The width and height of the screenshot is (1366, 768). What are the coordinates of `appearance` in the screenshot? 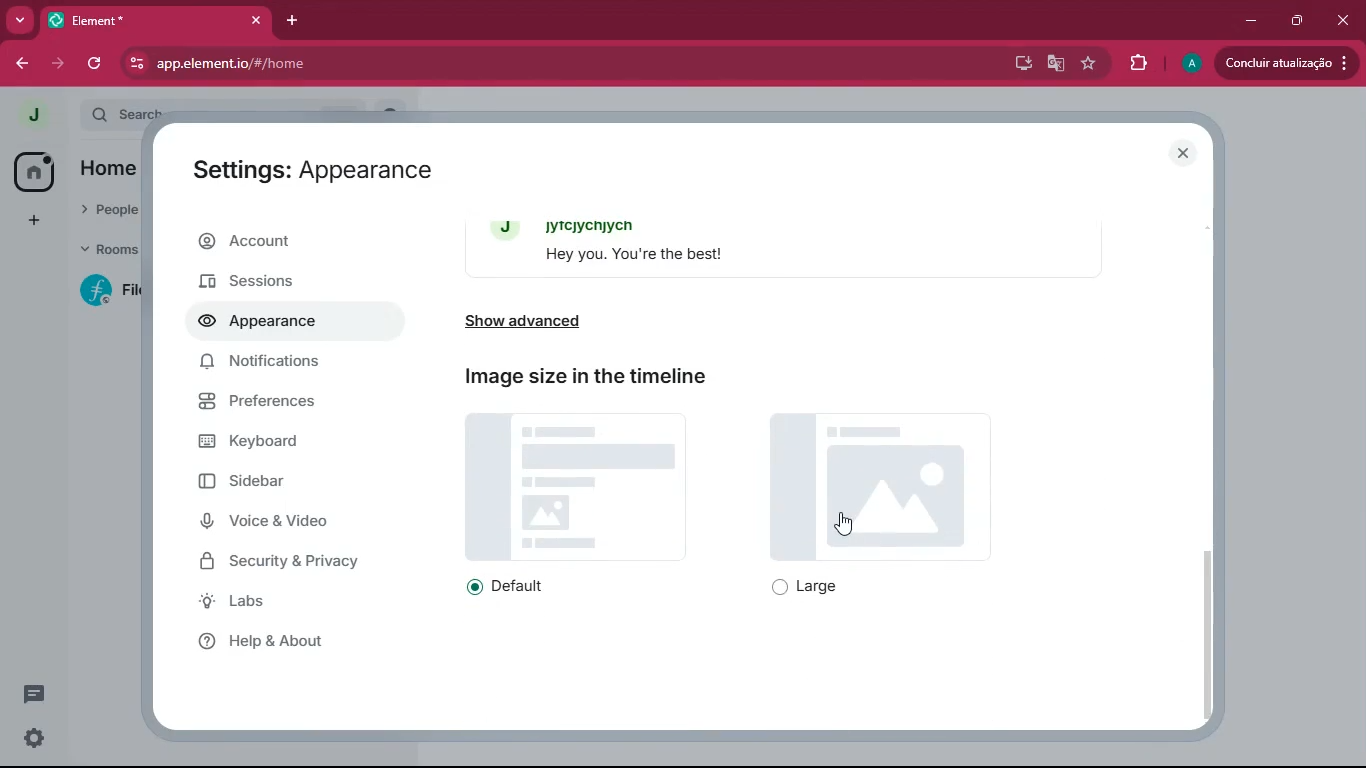 It's located at (266, 324).